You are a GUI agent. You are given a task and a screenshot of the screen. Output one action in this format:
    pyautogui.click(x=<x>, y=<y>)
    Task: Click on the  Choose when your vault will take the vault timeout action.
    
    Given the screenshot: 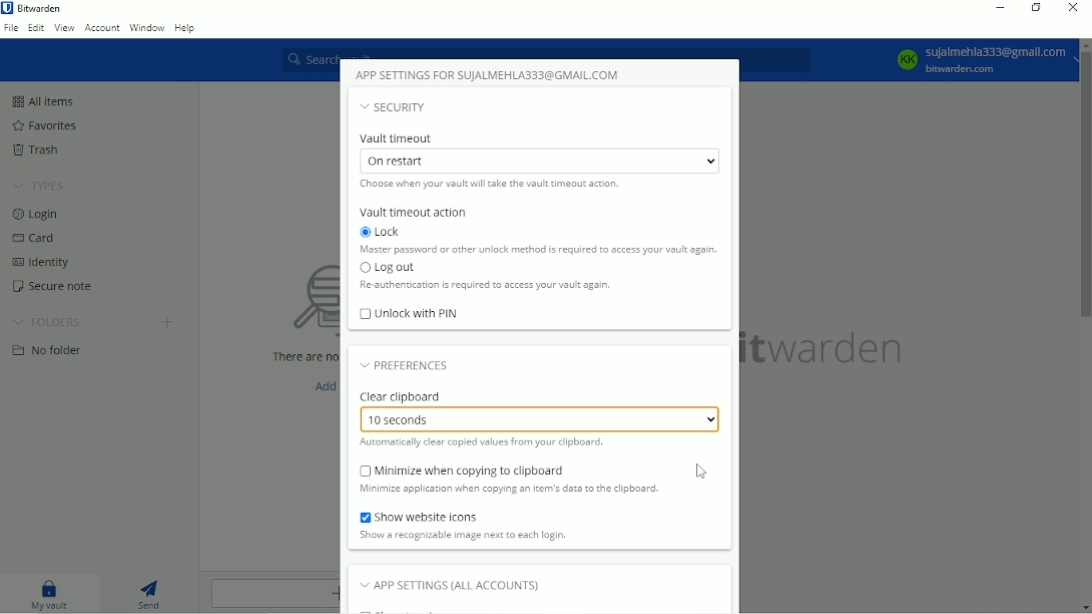 What is the action you would take?
    pyautogui.click(x=487, y=184)
    